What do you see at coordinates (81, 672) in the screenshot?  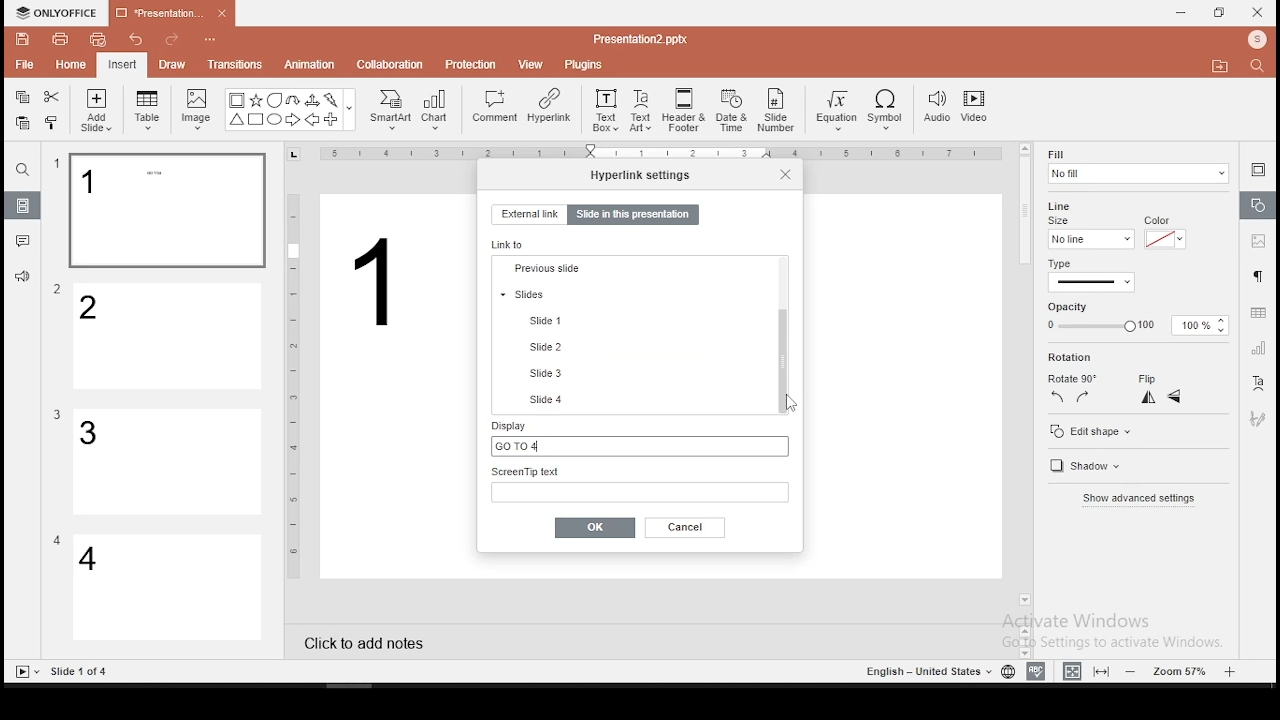 I see `` at bounding box center [81, 672].